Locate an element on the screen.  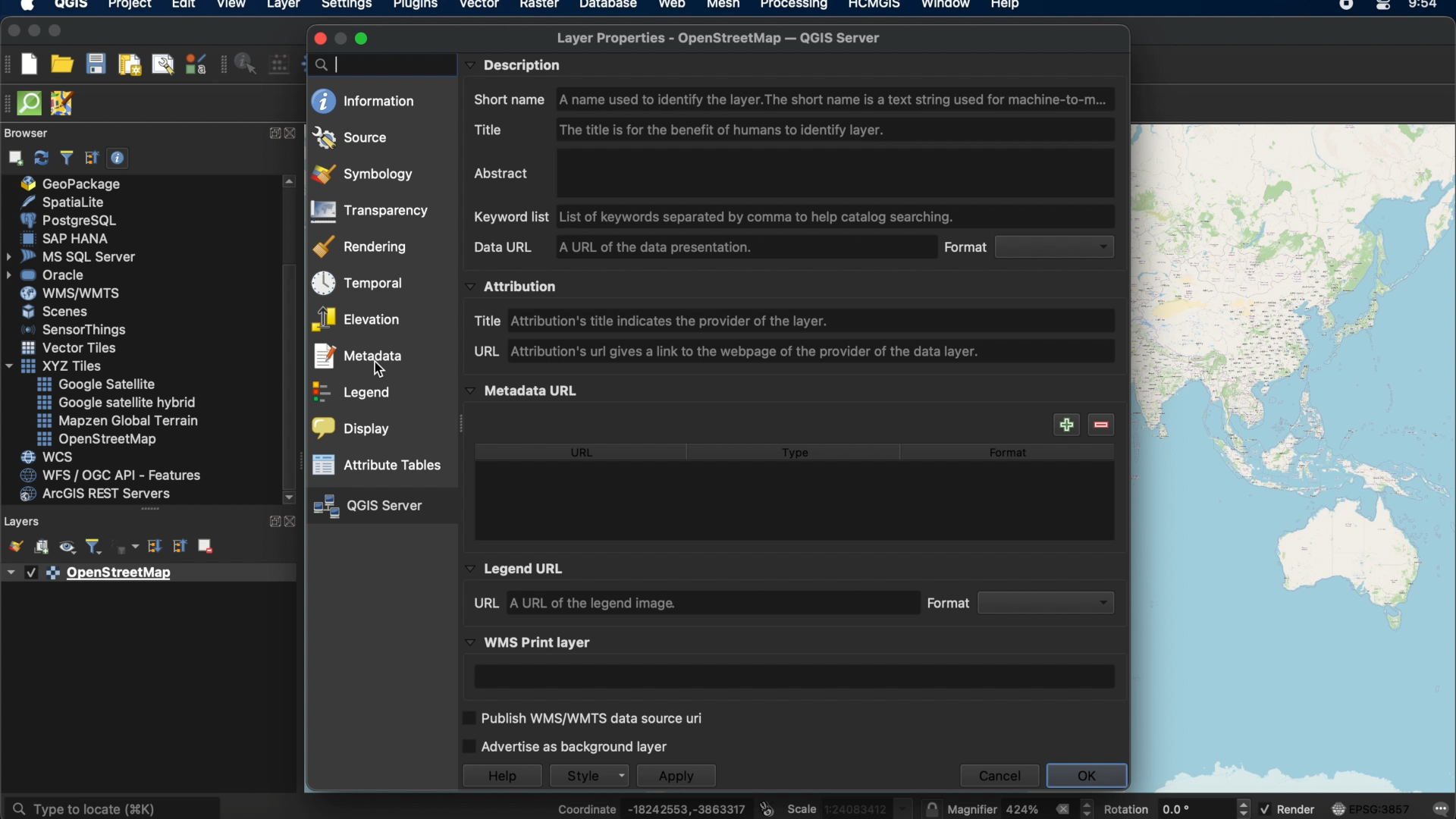
remove is located at coordinates (1102, 425).